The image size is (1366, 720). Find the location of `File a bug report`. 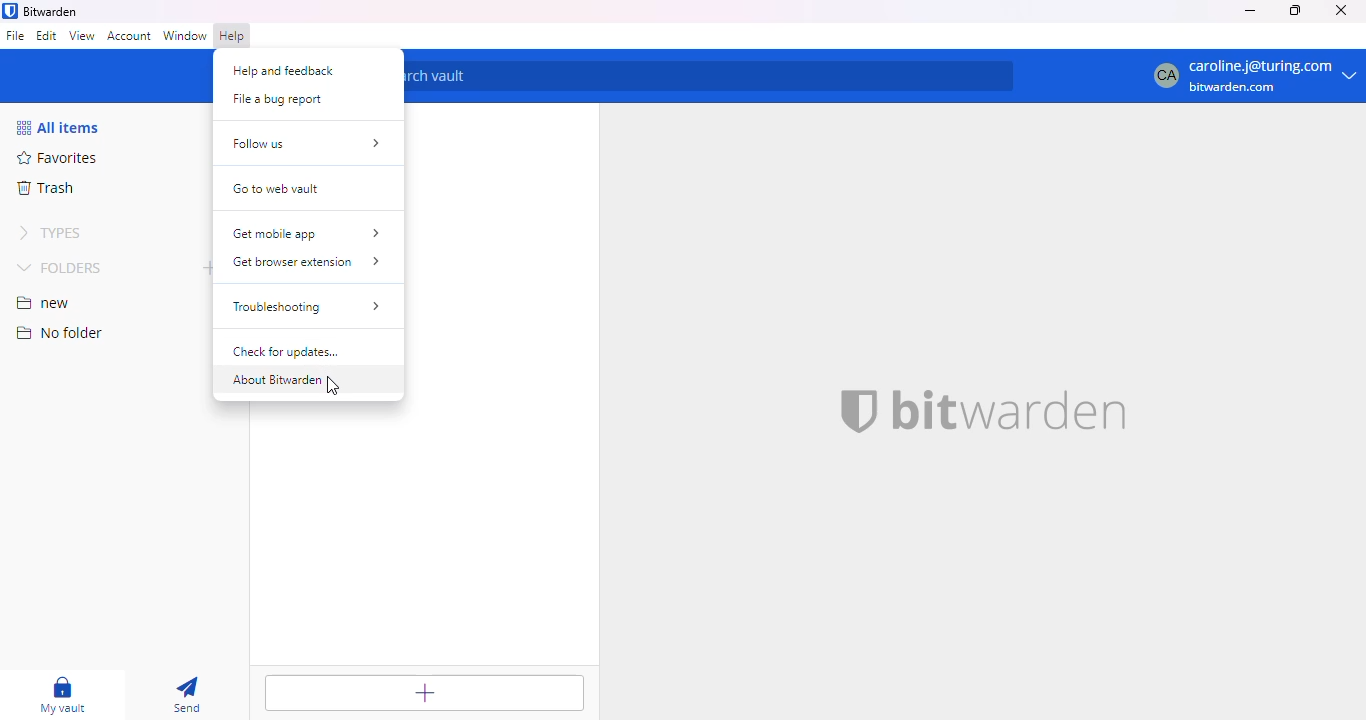

File a bug report is located at coordinates (285, 98).